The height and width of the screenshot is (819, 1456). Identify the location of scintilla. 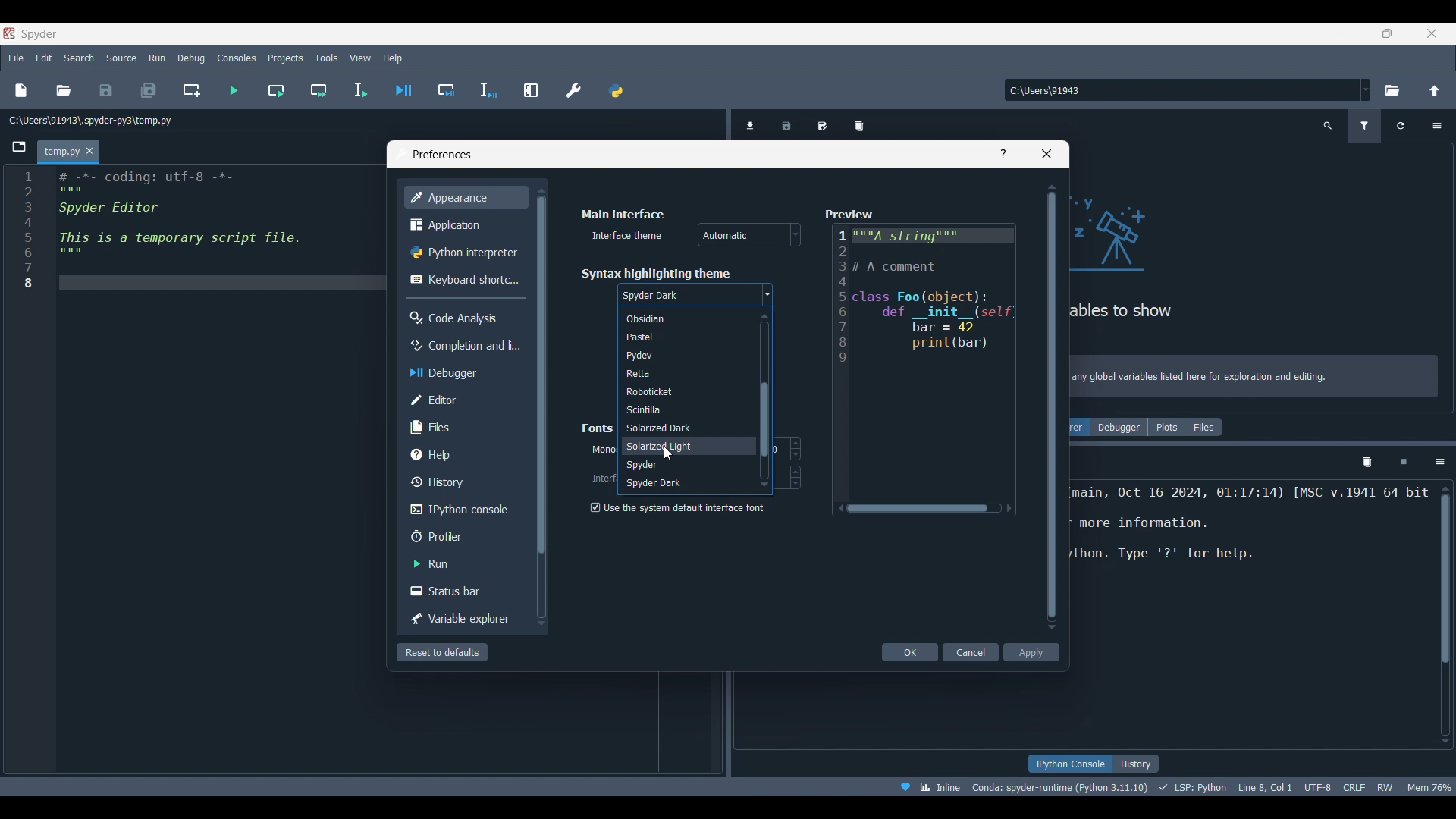
(677, 409).